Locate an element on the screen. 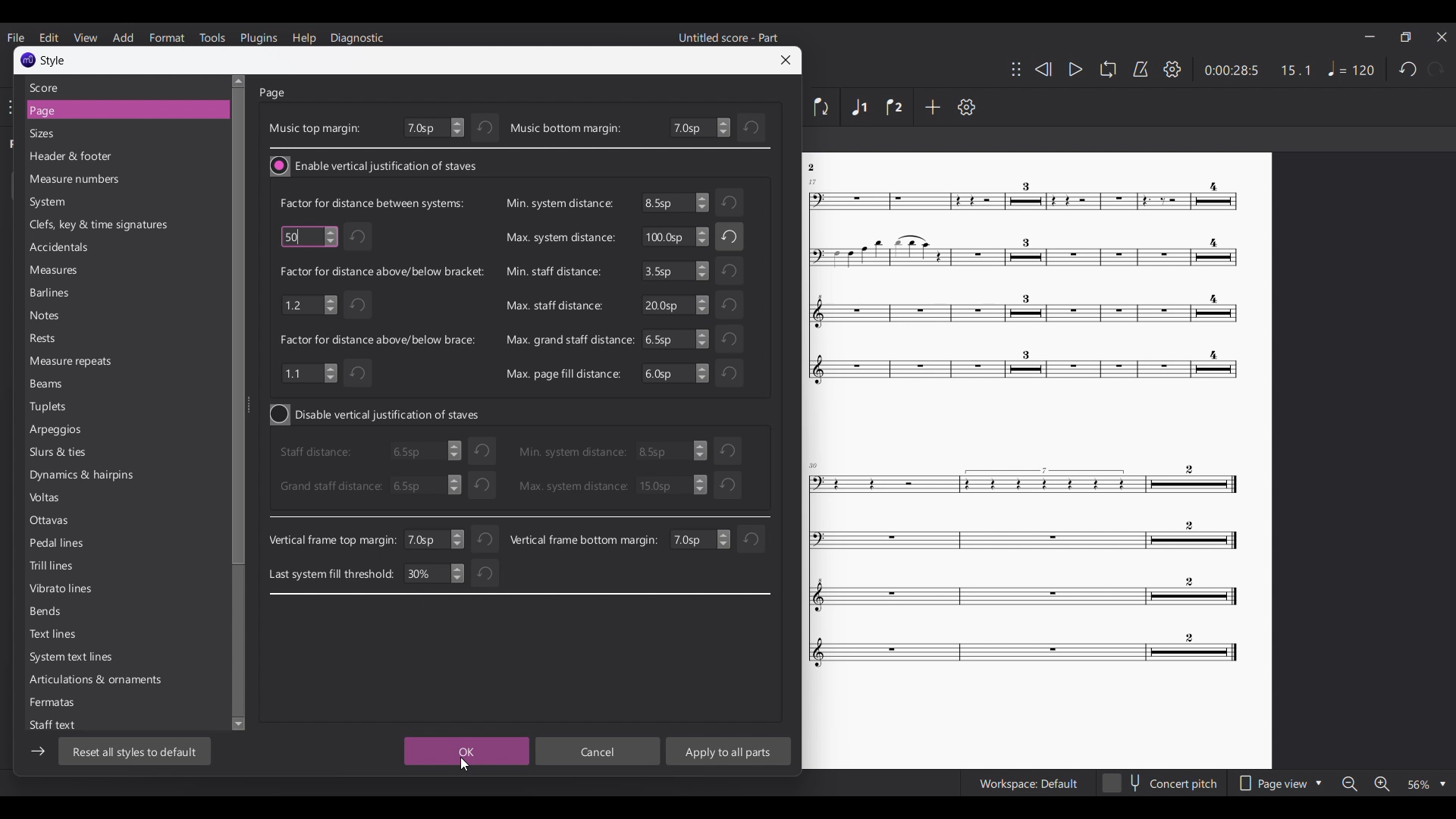 Image resolution: width=1456 pixels, height=819 pixels. Change toolbar position is located at coordinates (1016, 69).